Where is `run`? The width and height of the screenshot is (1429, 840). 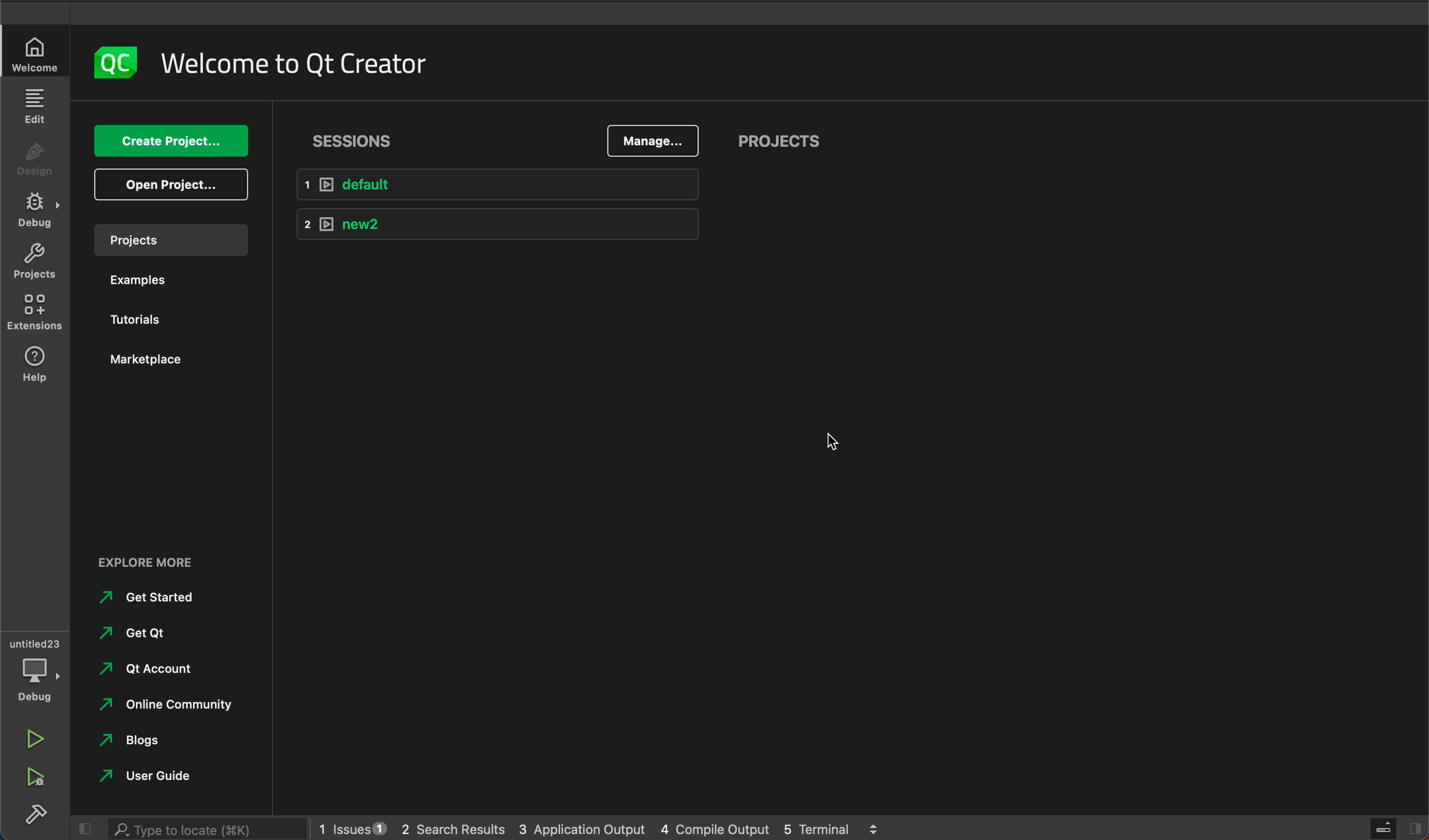
run is located at coordinates (32, 741).